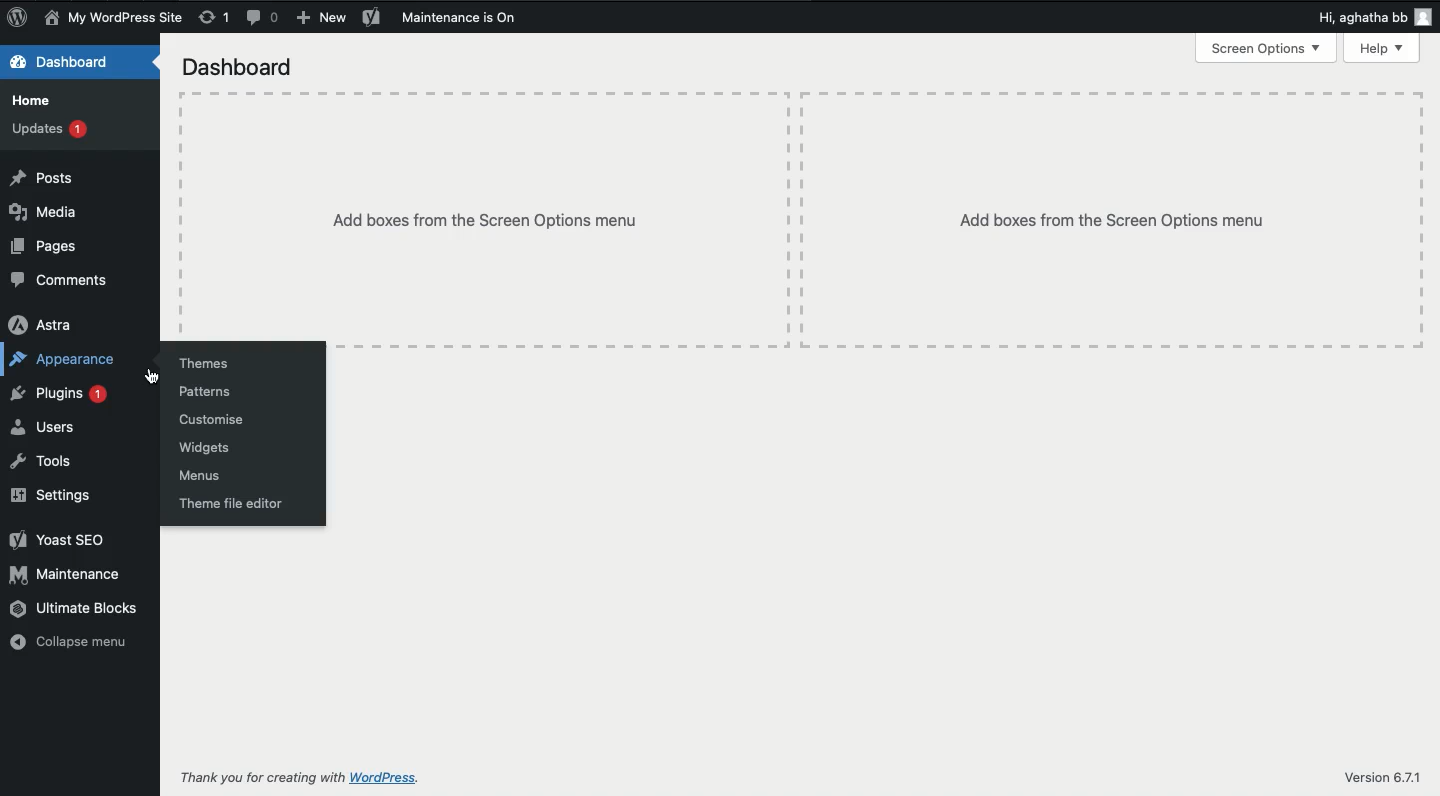  What do you see at coordinates (238, 66) in the screenshot?
I see `Dashboard` at bounding box center [238, 66].